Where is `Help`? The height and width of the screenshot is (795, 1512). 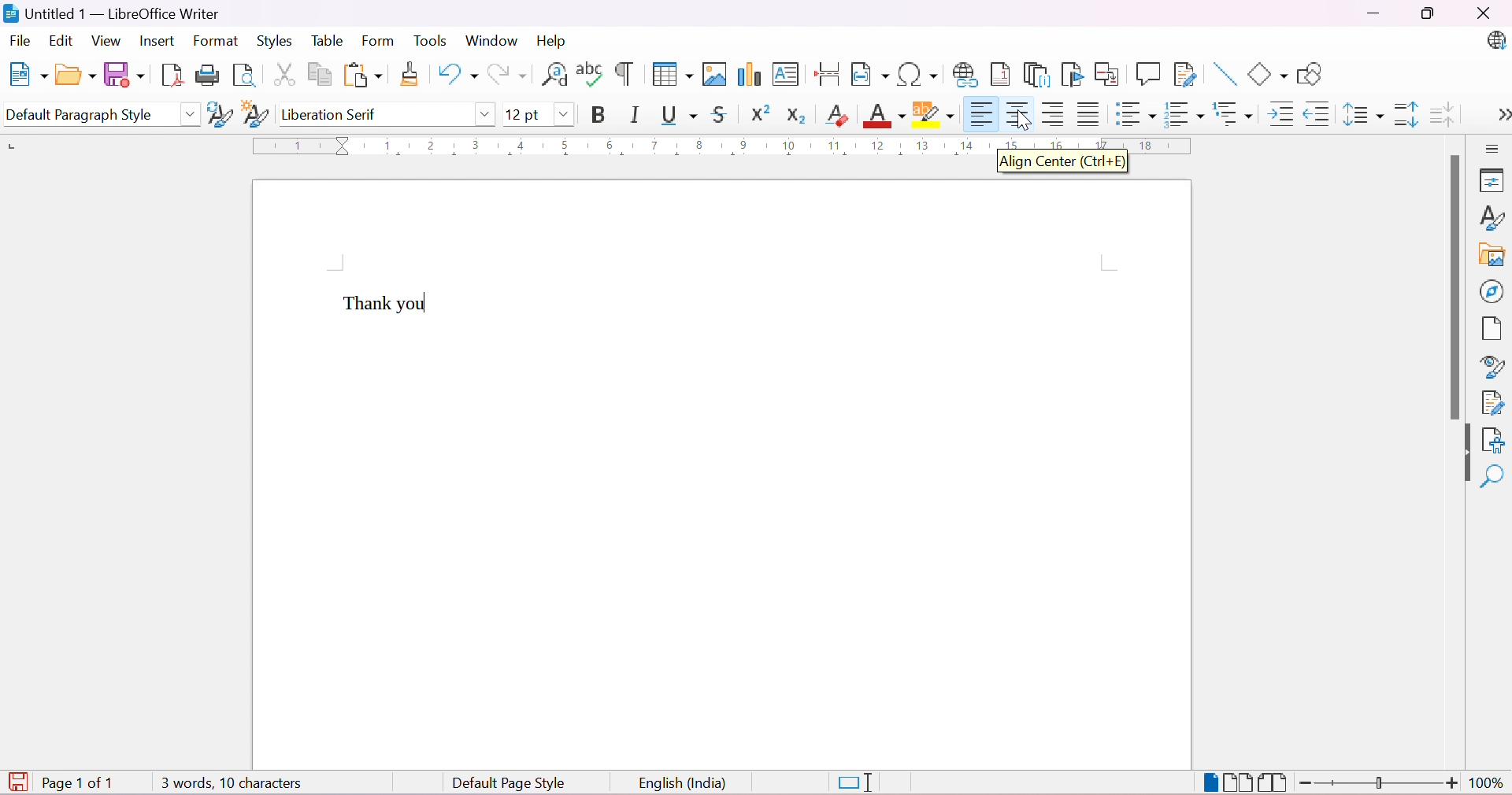 Help is located at coordinates (551, 40).